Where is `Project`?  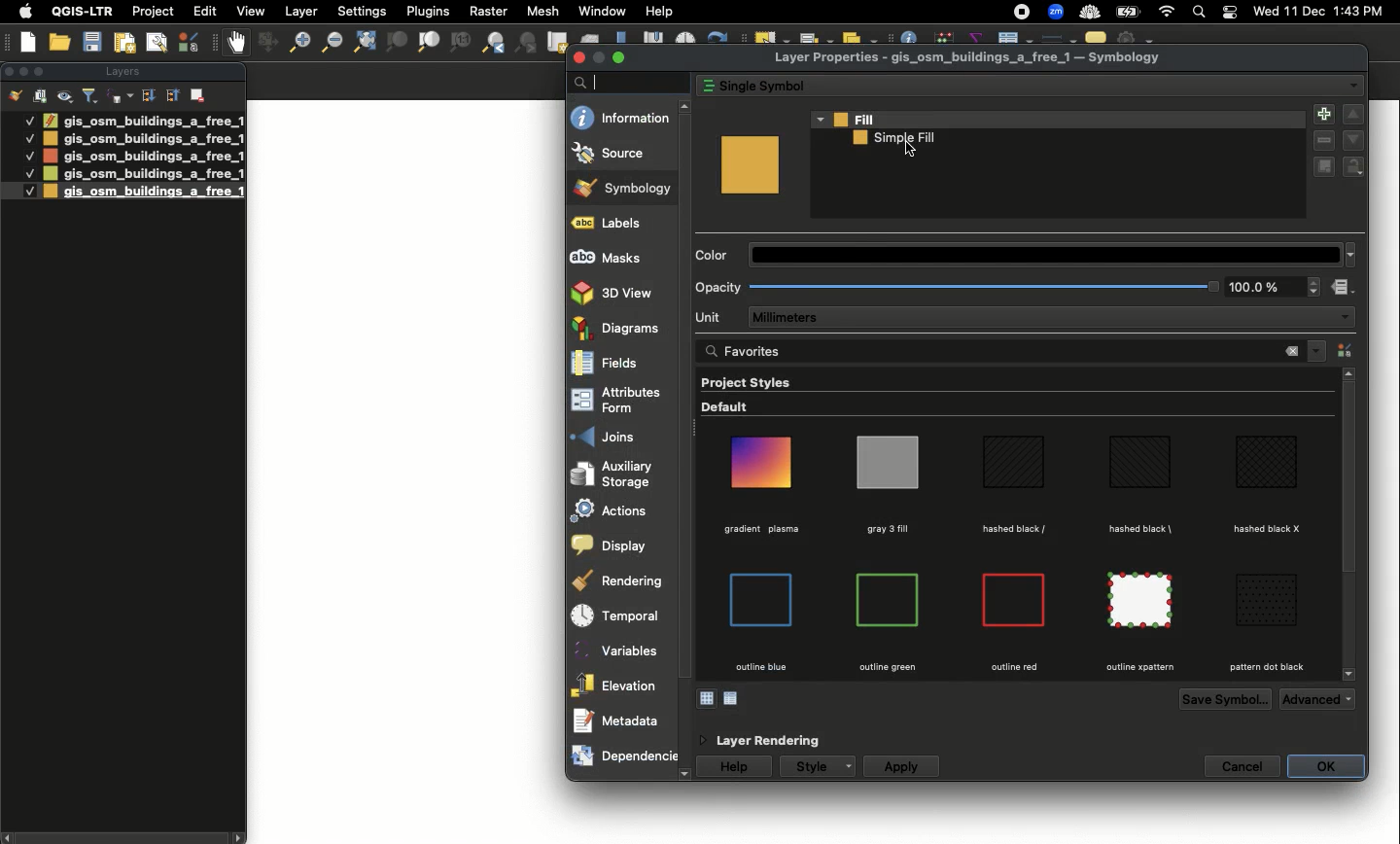
Project is located at coordinates (153, 13).